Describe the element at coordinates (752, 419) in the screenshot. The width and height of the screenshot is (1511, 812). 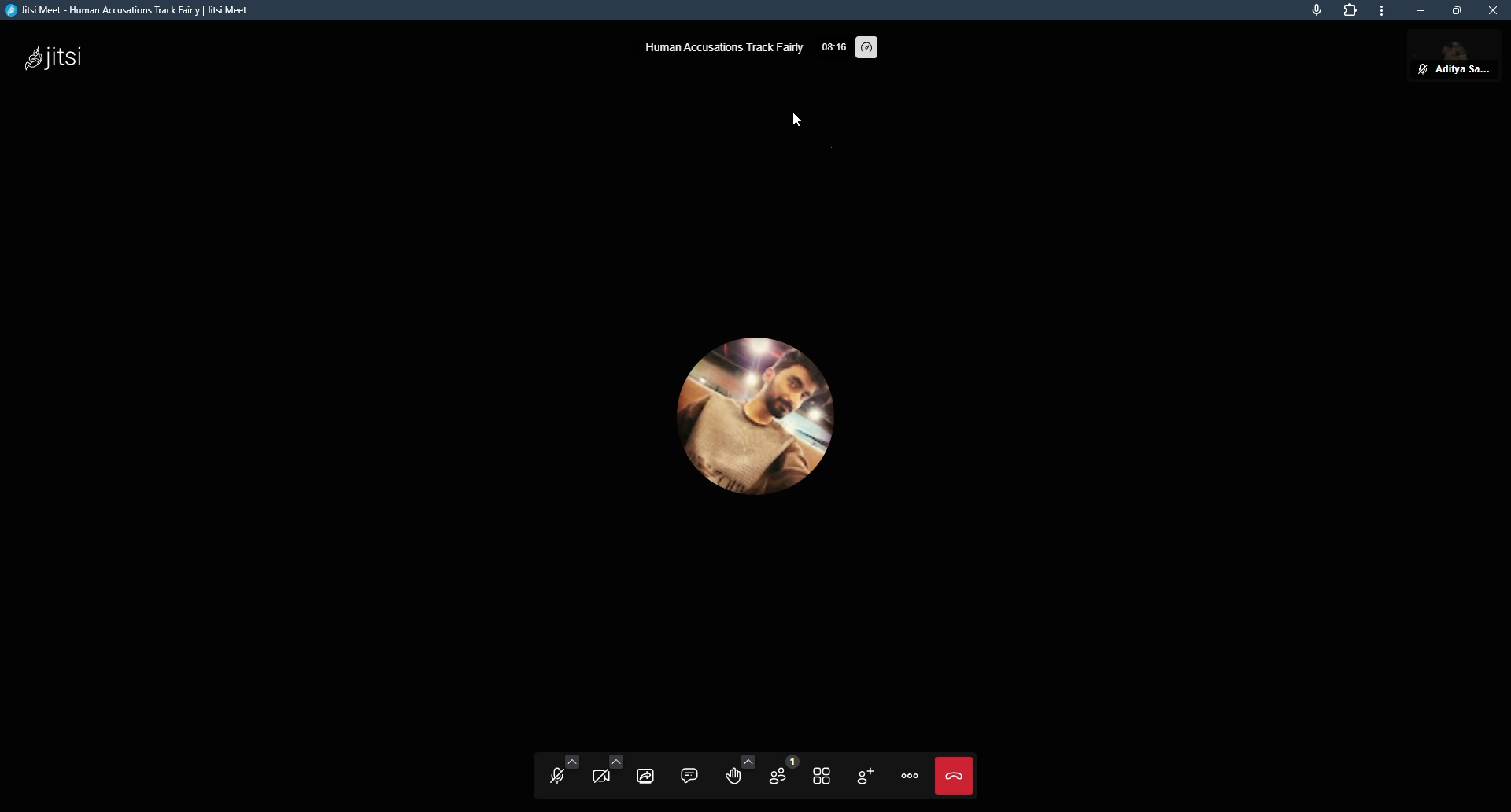
I see `profile` at that location.